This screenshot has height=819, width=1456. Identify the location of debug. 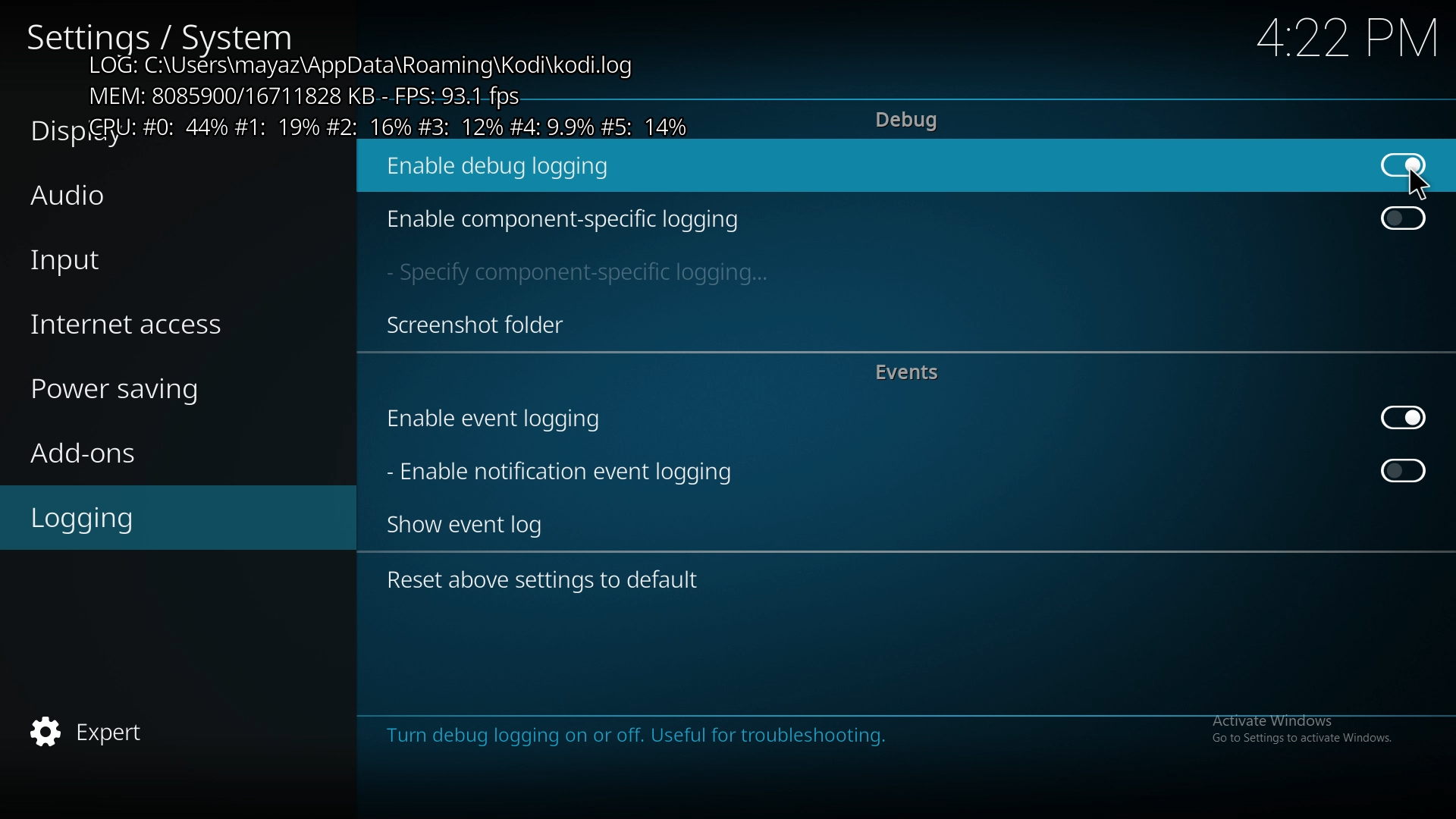
(907, 121).